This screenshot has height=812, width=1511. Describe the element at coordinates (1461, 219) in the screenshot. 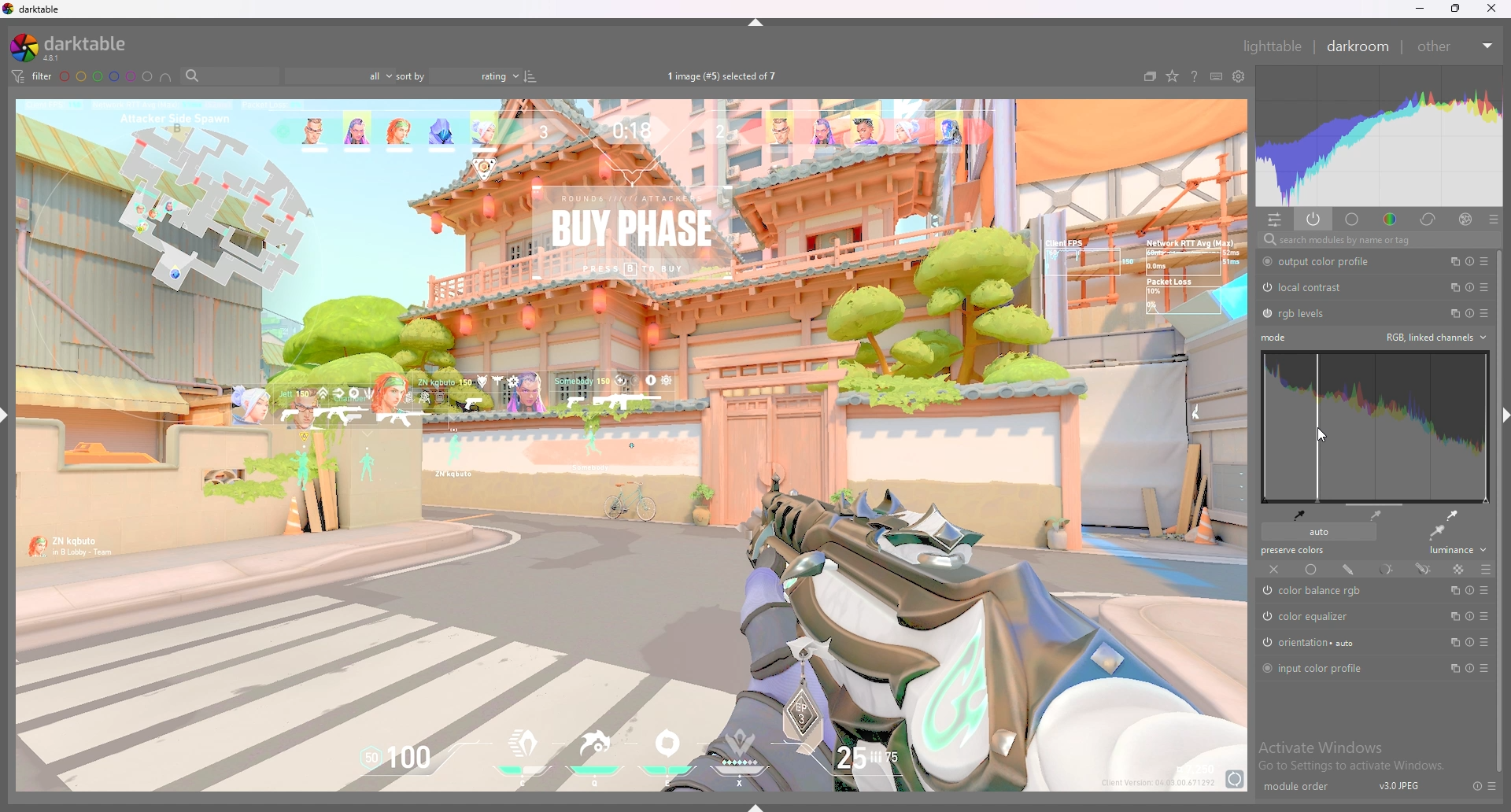

I see `effect` at that location.